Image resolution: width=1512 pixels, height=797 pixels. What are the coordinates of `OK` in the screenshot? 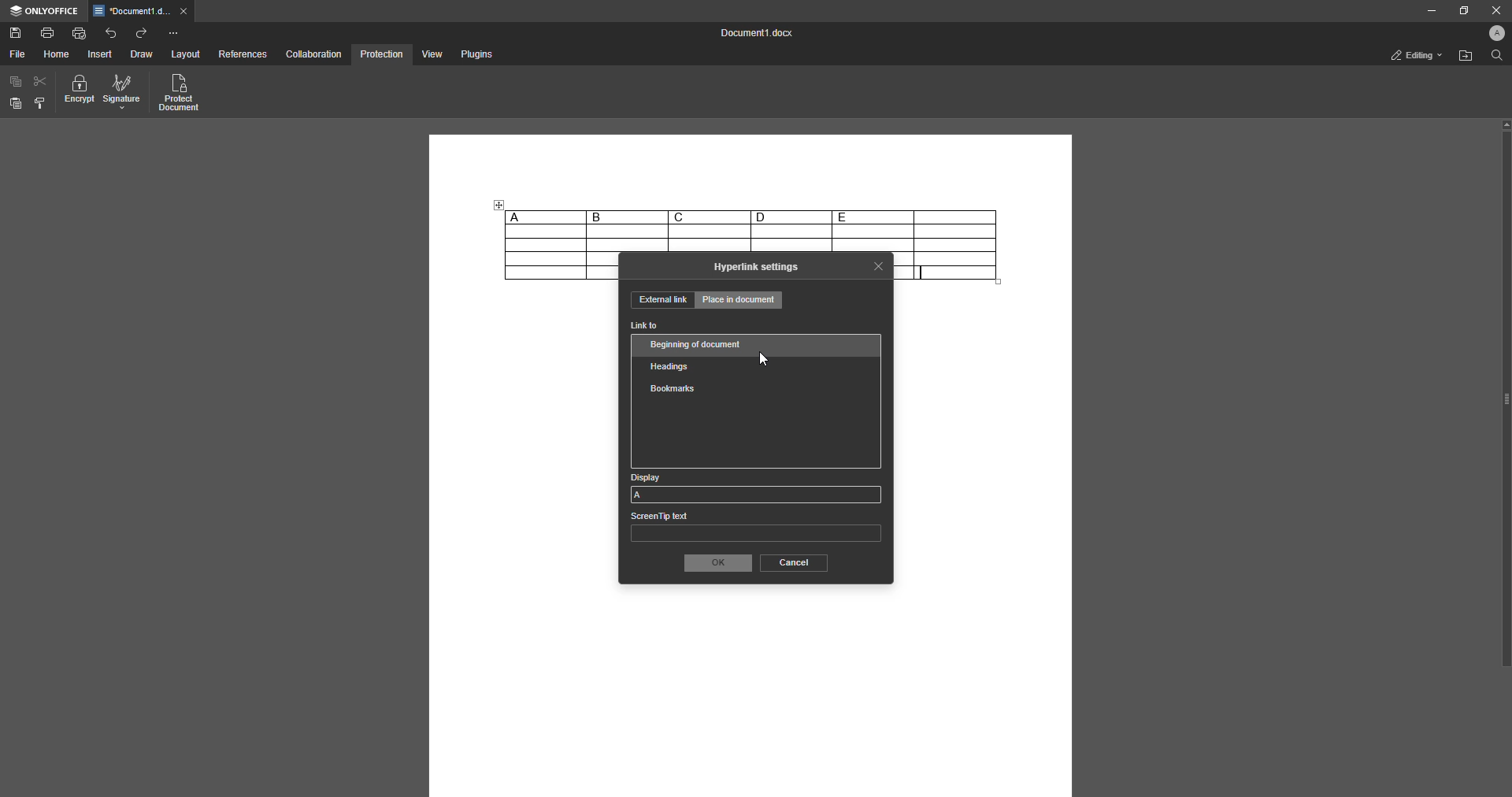 It's located at (716, 563).